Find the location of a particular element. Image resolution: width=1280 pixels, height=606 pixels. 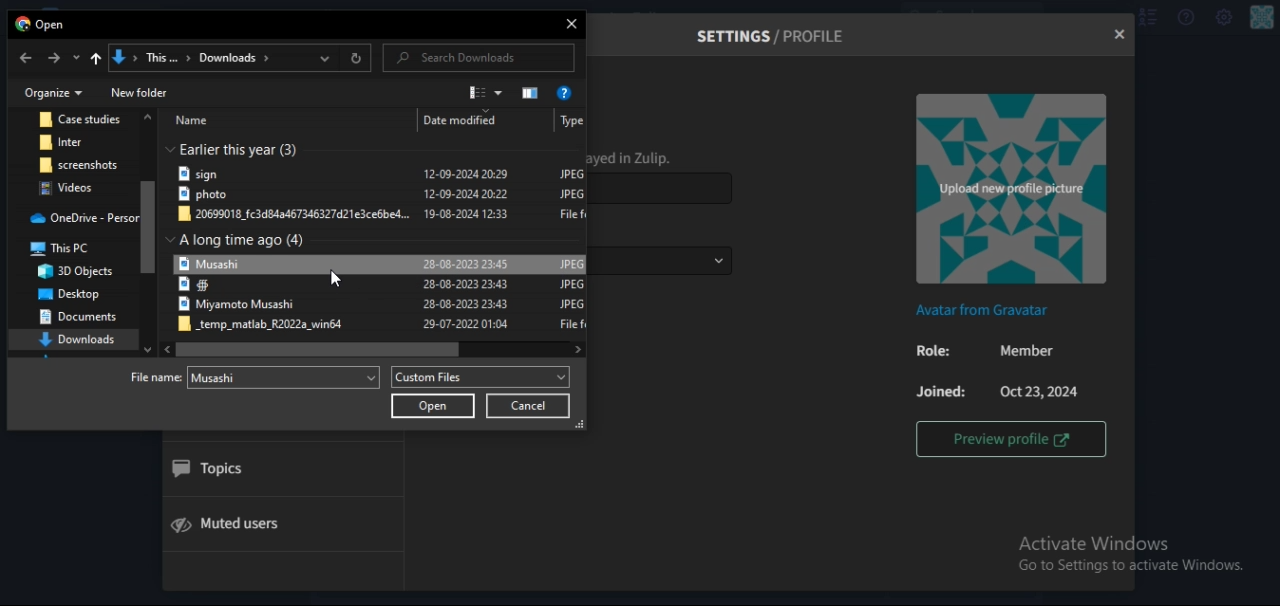

organize is located at coordinates (55, 92).